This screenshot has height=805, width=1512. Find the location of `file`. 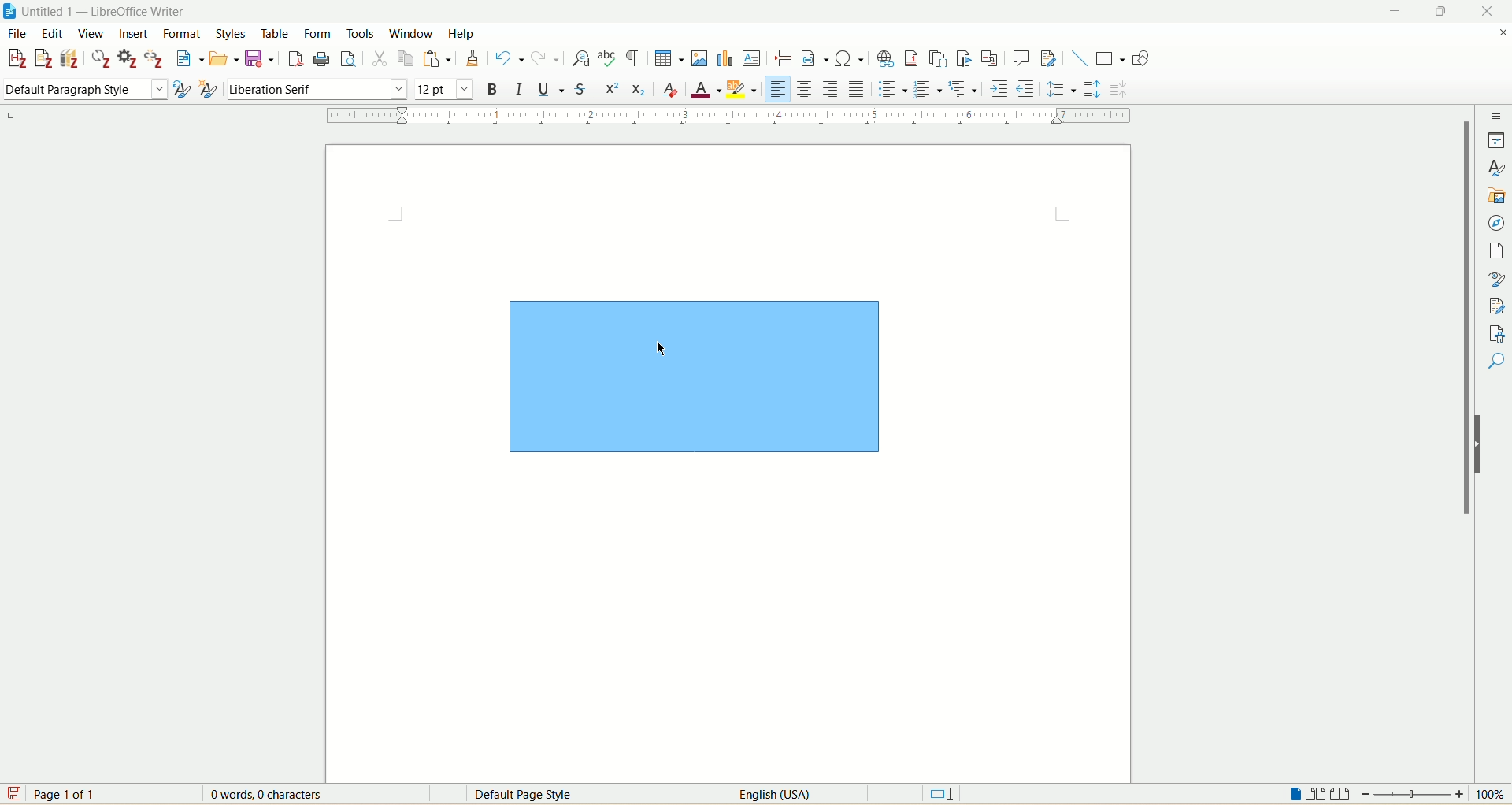

file is located at coordinates (20, 33).